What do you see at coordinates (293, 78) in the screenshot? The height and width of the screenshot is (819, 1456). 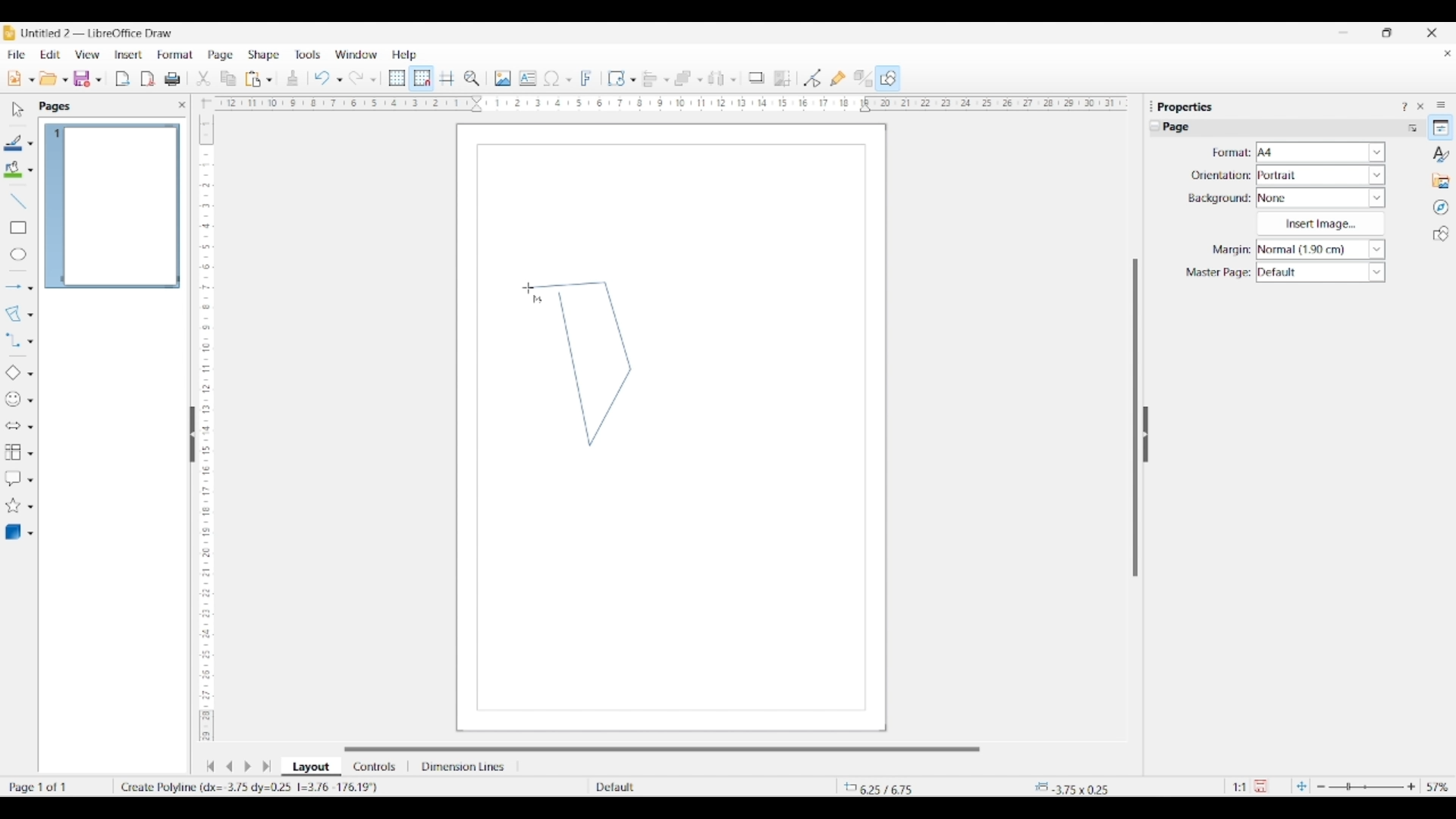 I see `Clone formatting` at bounding box center [293, 78].